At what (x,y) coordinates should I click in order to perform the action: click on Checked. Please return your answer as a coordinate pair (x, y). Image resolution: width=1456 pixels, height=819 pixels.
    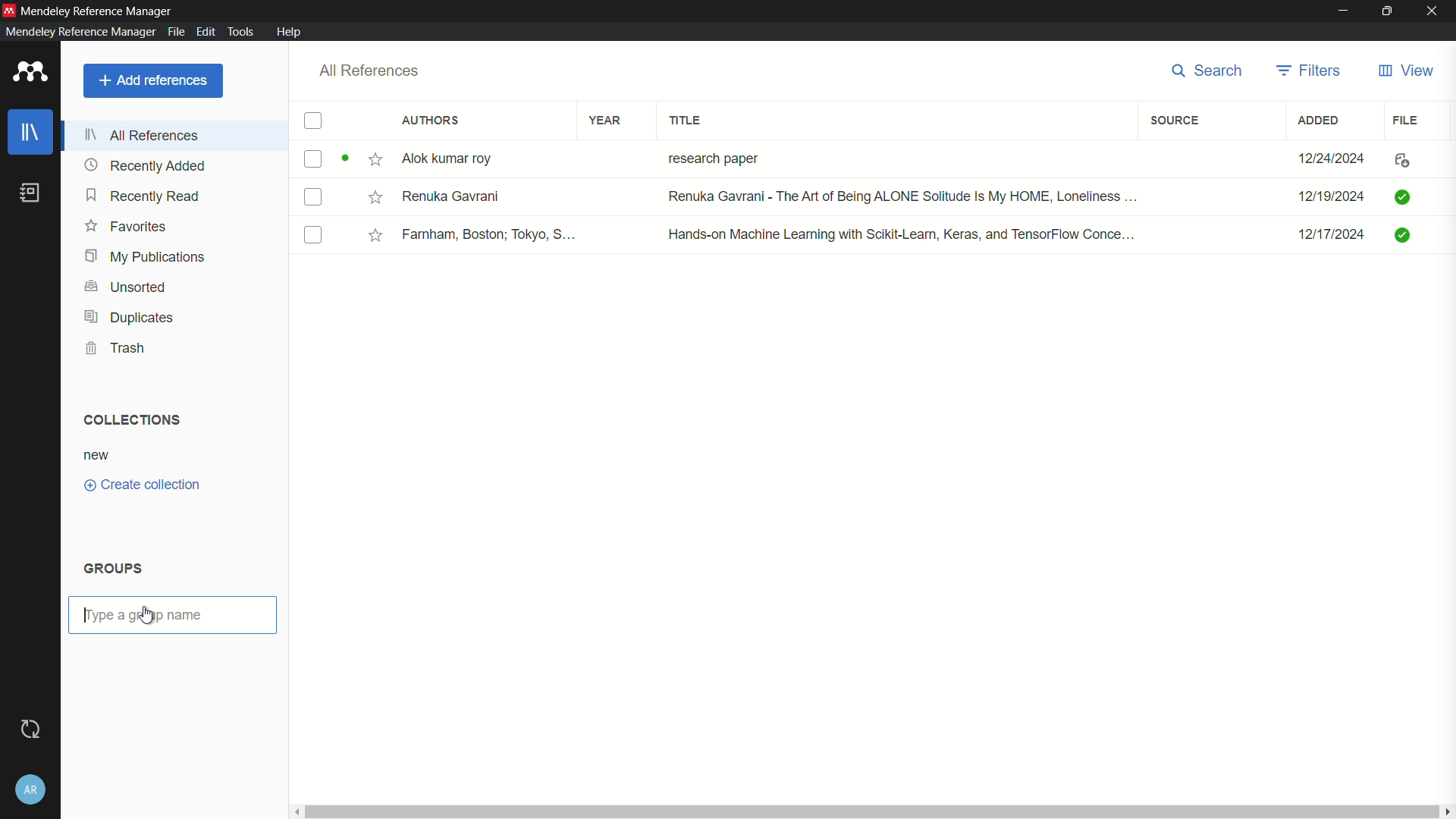
    Looking at the image, I should click on (1401, 196).